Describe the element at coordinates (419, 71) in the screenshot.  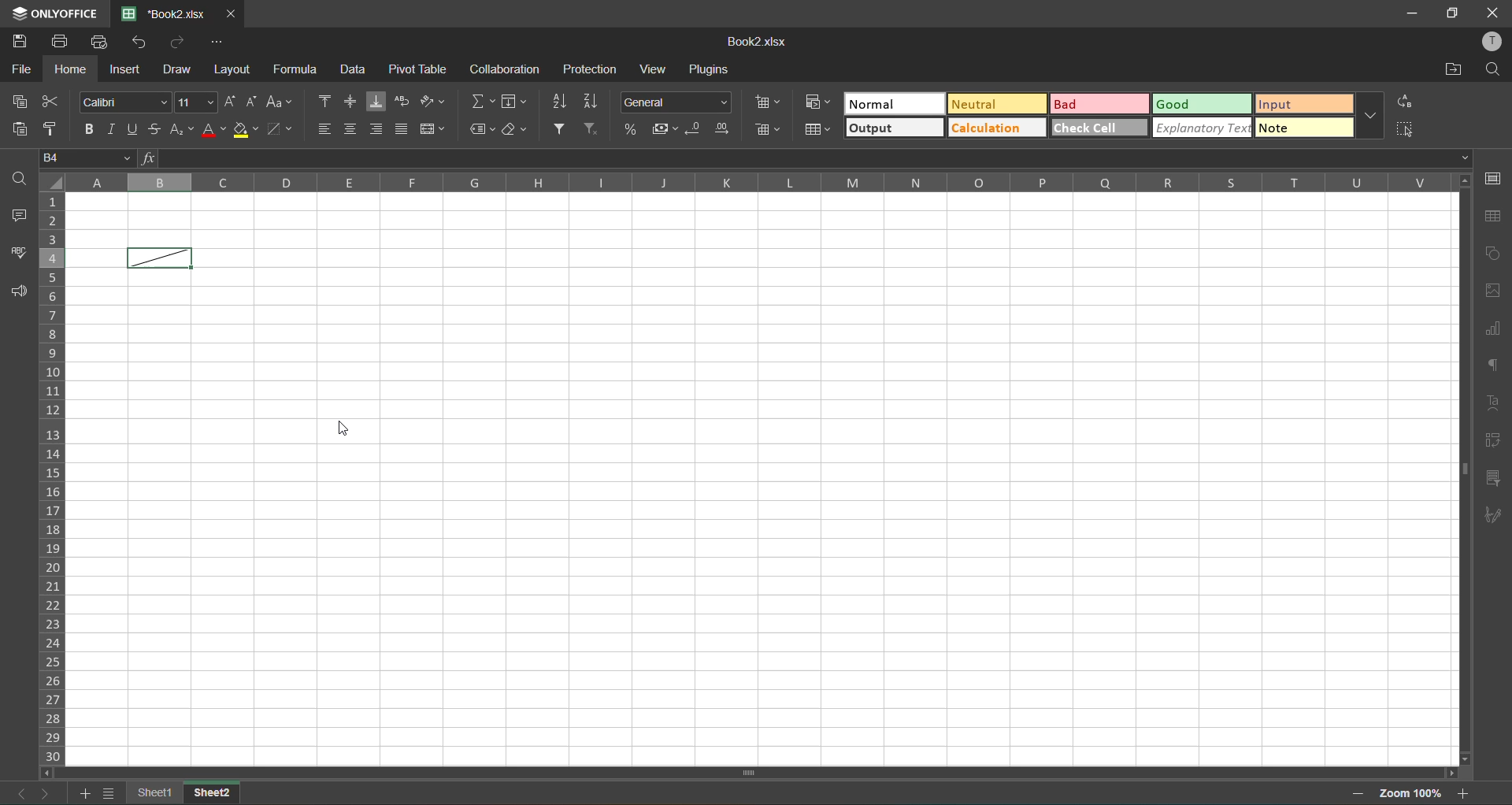
I see `pivot table` at that location.